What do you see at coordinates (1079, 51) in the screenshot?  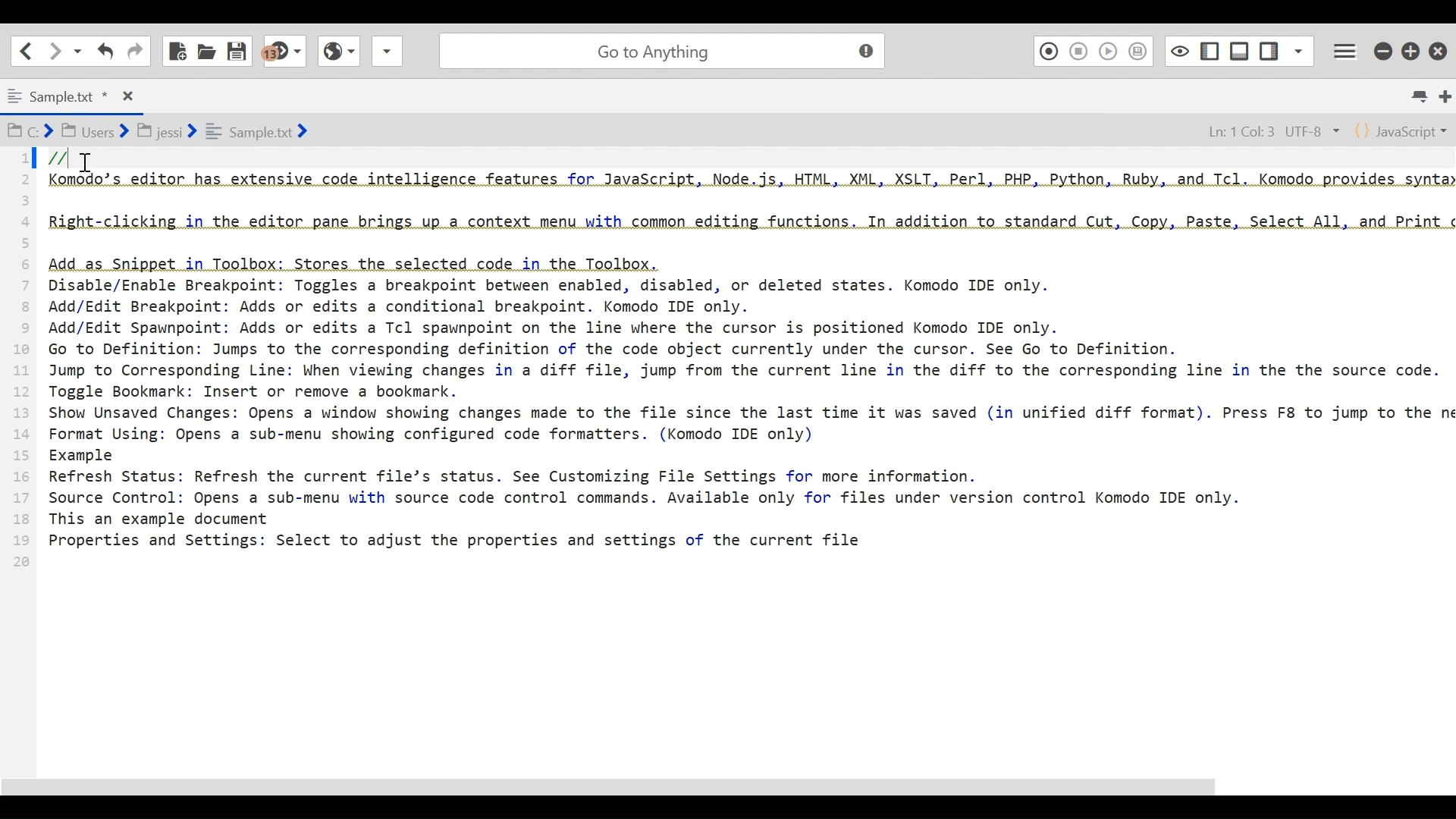 I see `Stop Recording Macro` at bounding box center [1079, 51].